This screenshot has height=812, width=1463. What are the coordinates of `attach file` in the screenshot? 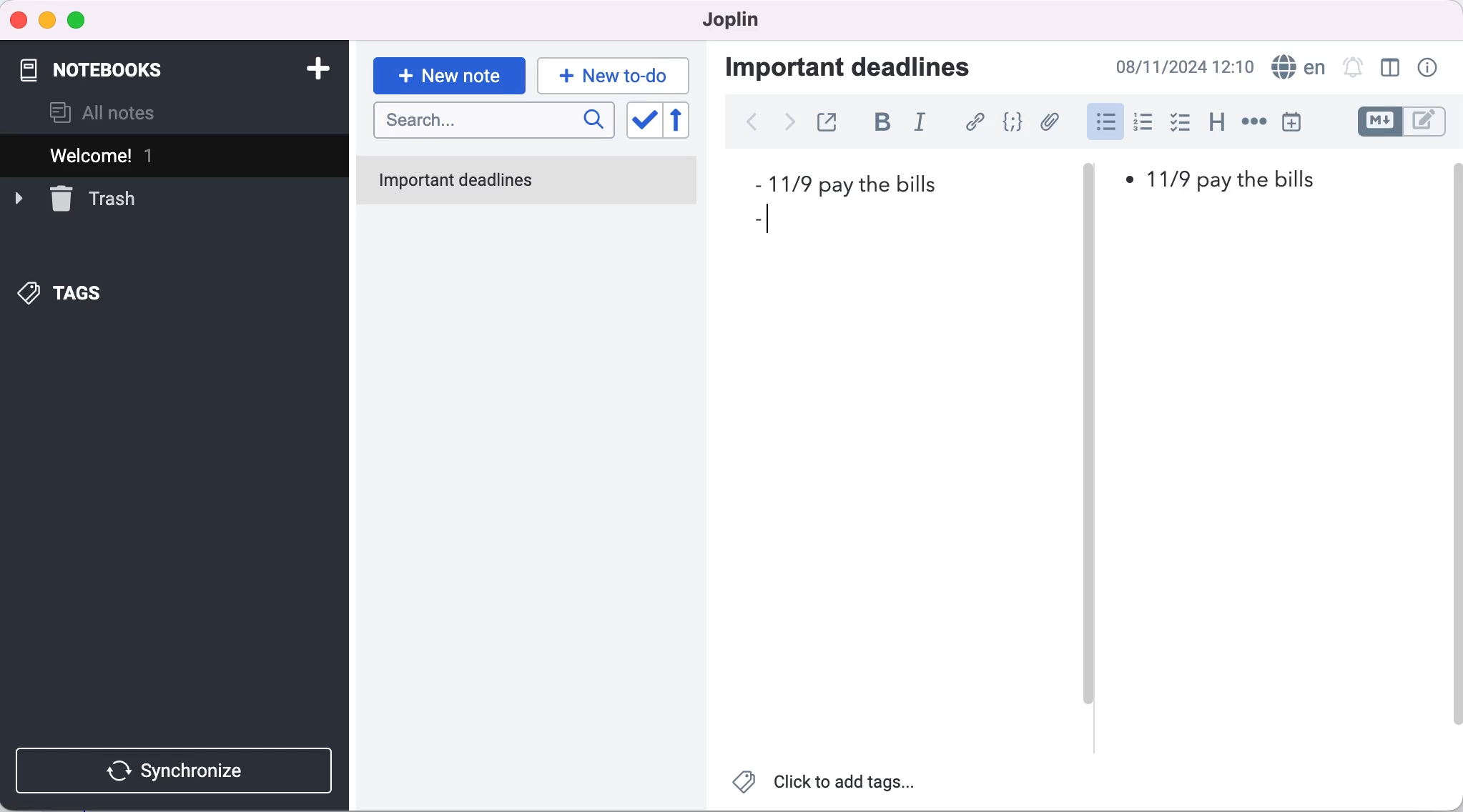 It's located at (1049, 122).